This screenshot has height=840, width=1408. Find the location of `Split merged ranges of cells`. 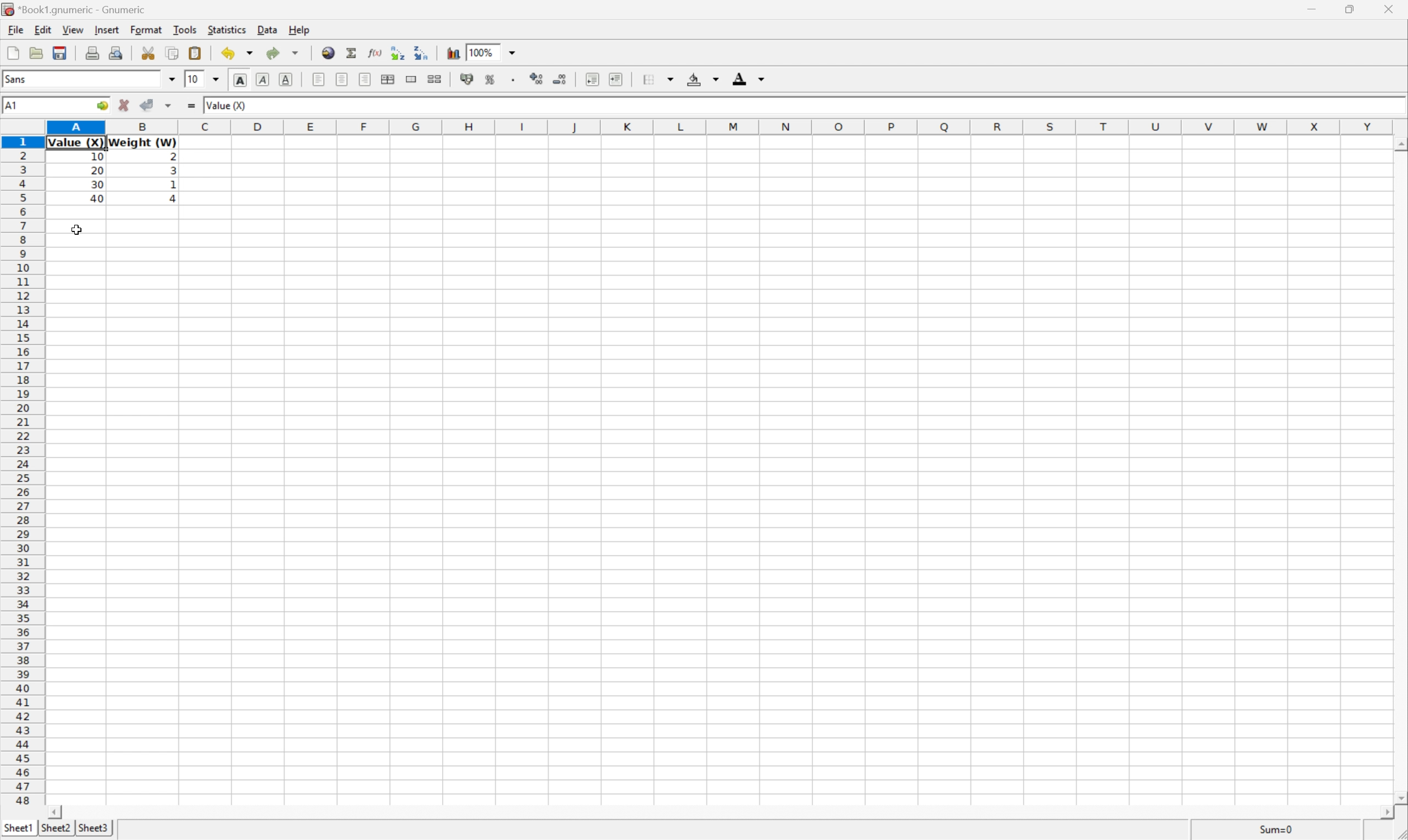

Split merged ranges of cells is located at coordinates (436, 80).